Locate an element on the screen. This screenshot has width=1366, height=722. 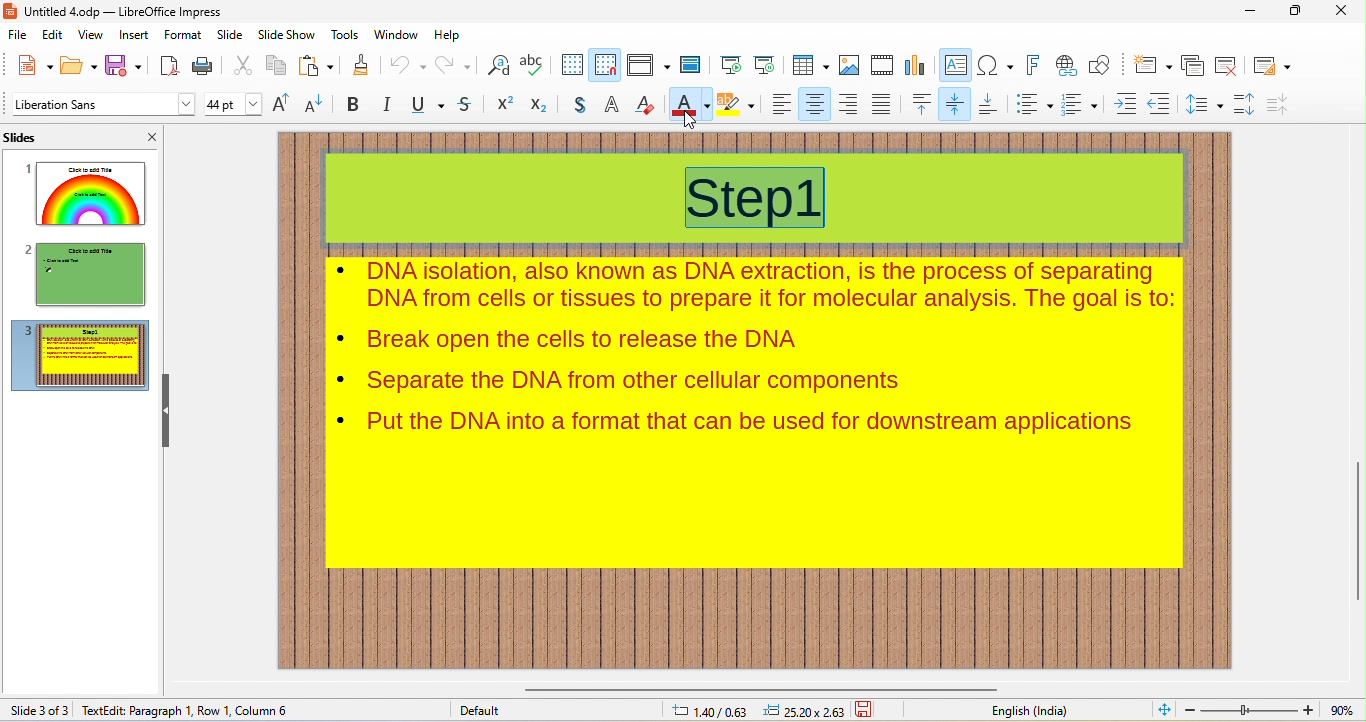
insert special characters is located at coordinates (994, 65).